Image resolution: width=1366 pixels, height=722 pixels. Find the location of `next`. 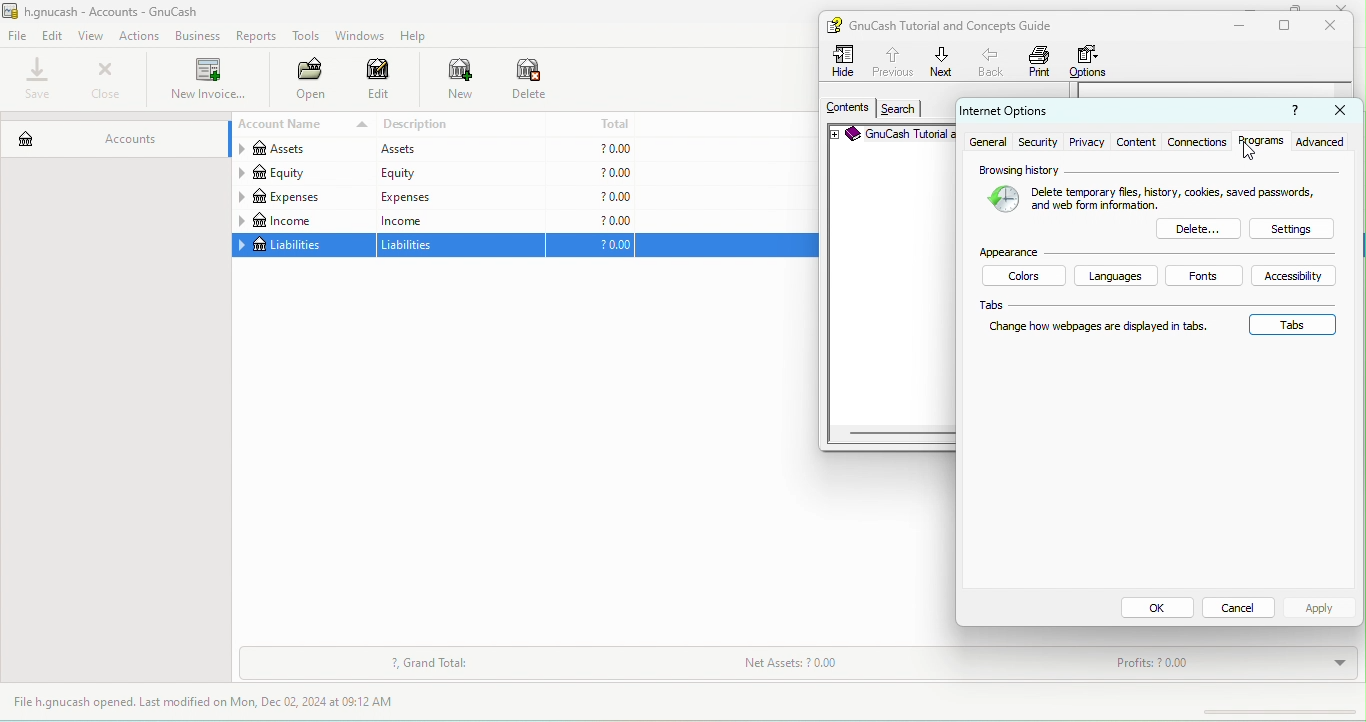

next is located at coordinates (942, 61).